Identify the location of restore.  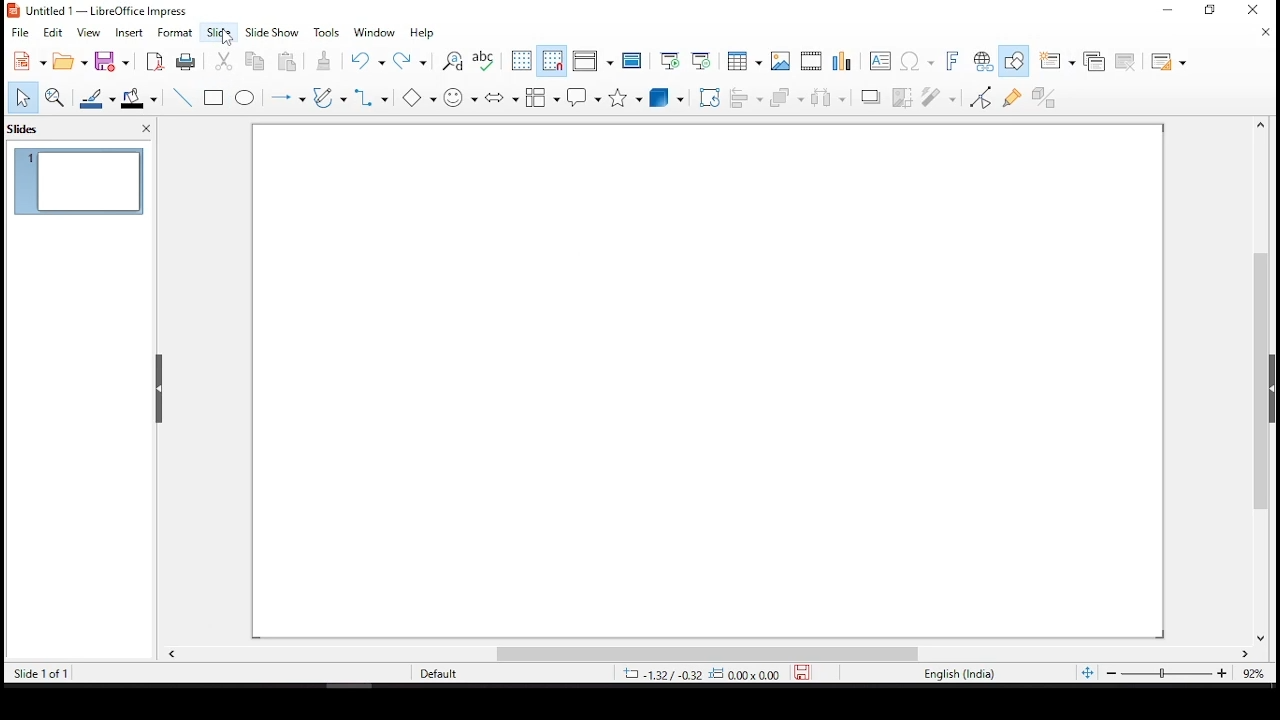
(1210, 11).